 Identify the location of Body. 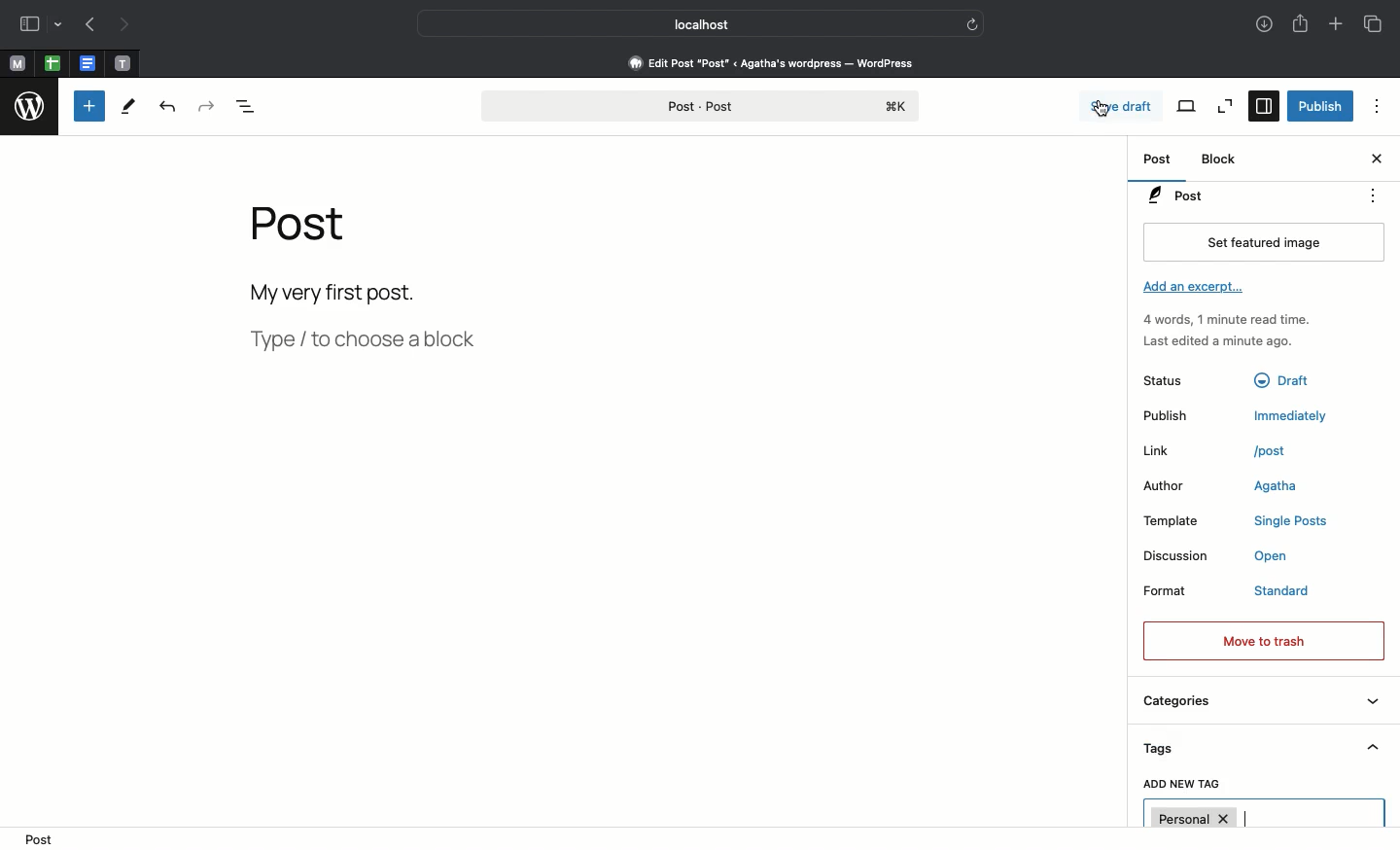
(358, 292).